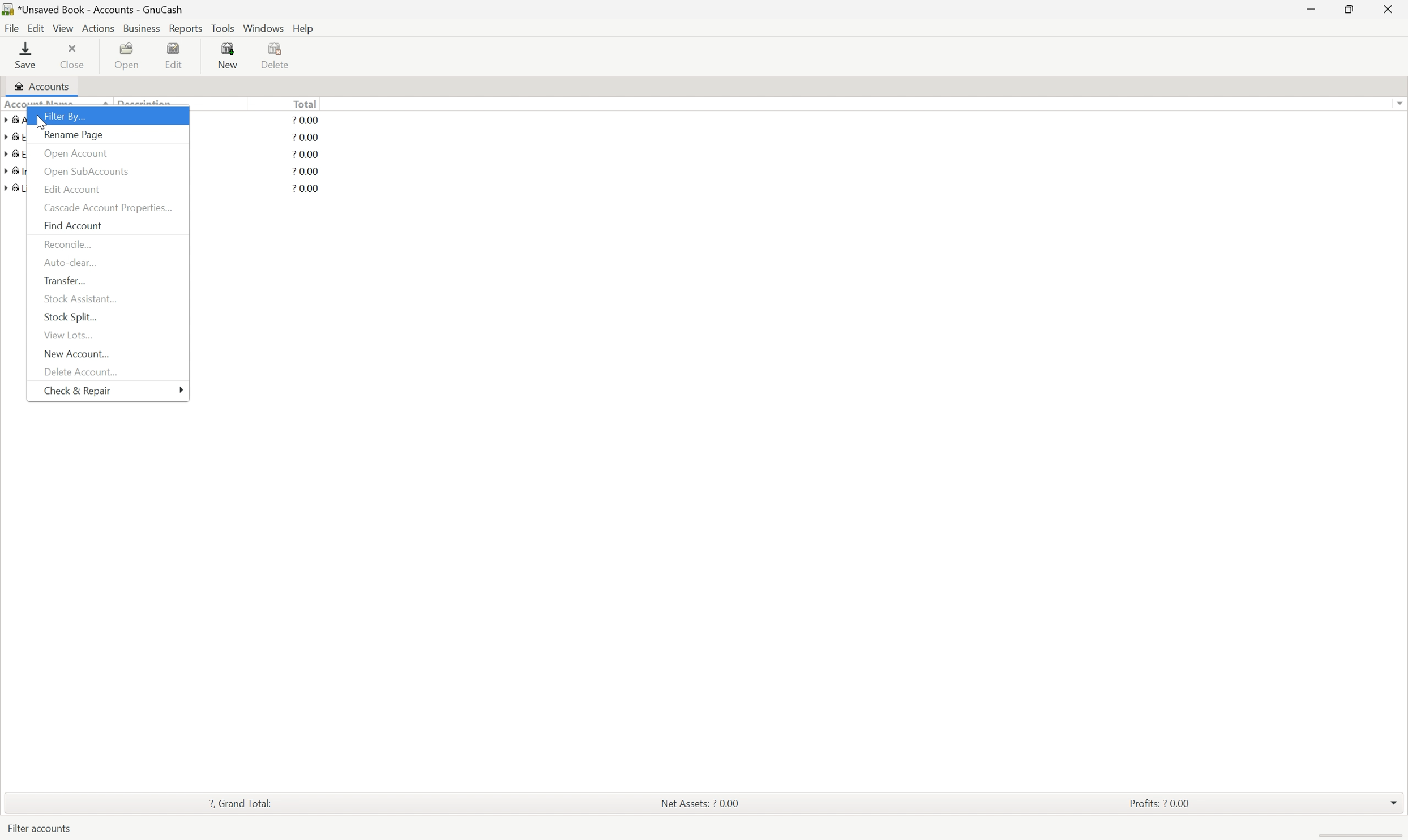 This screenshot has height=840, width=1408. What do you see at coordinates (306, 172) in the screenshot?
I see `? 0.00` at bounding box center [306, 172].